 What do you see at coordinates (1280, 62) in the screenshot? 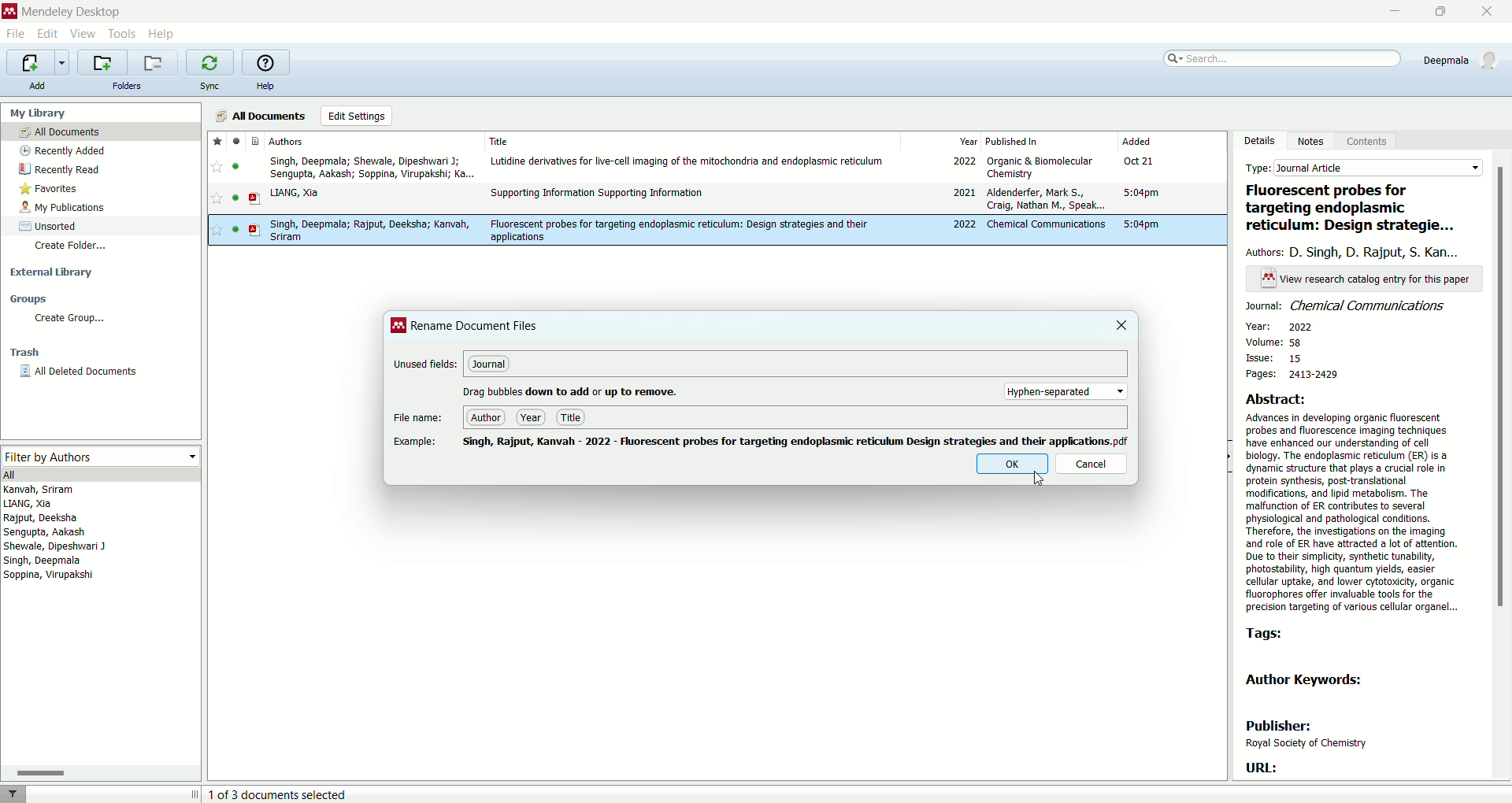
I see `search` at bounding box center [1280, 62].